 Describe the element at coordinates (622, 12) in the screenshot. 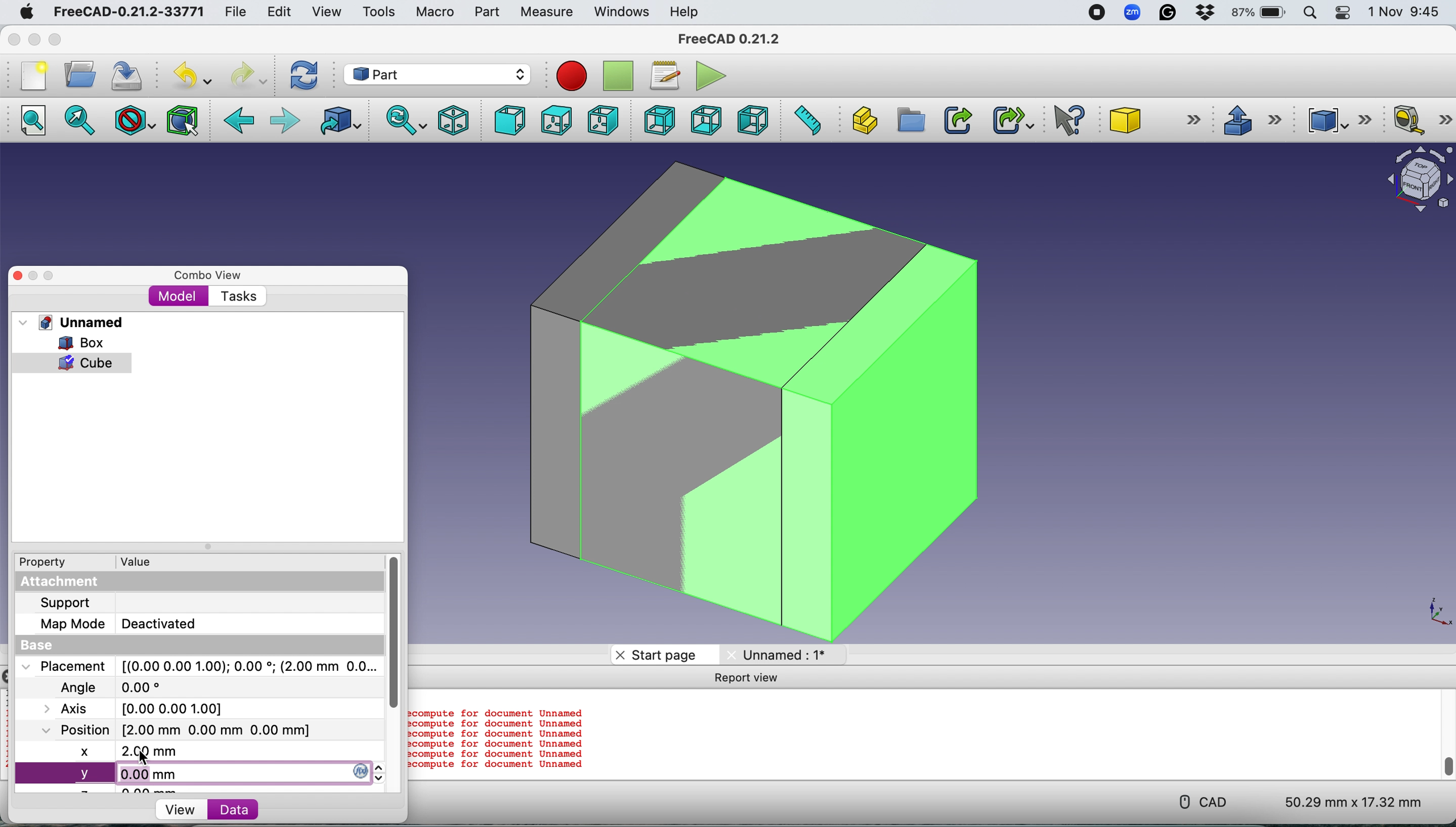

I see `Windows` at that location.